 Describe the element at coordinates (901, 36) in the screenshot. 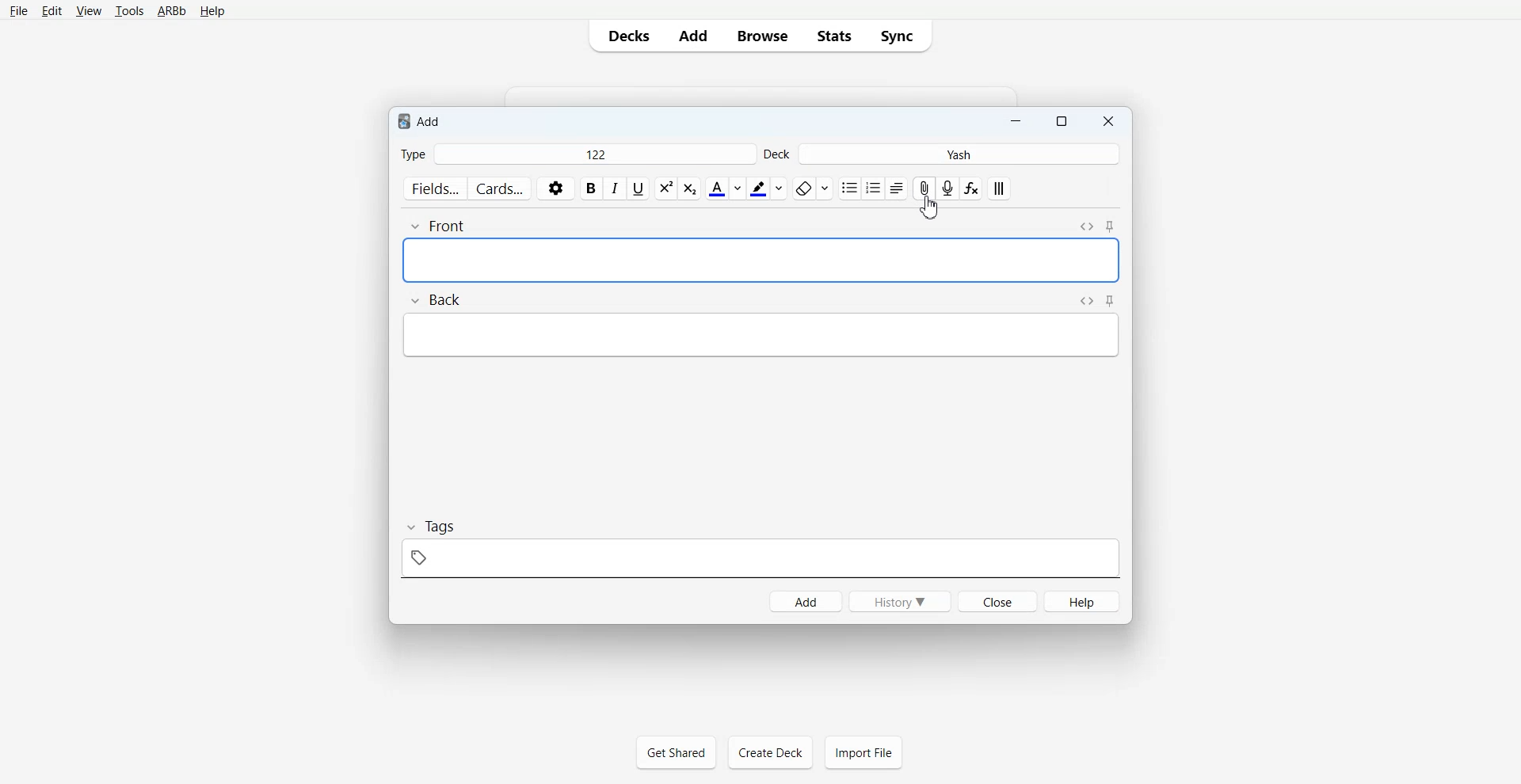

I see `Sync` at that location.